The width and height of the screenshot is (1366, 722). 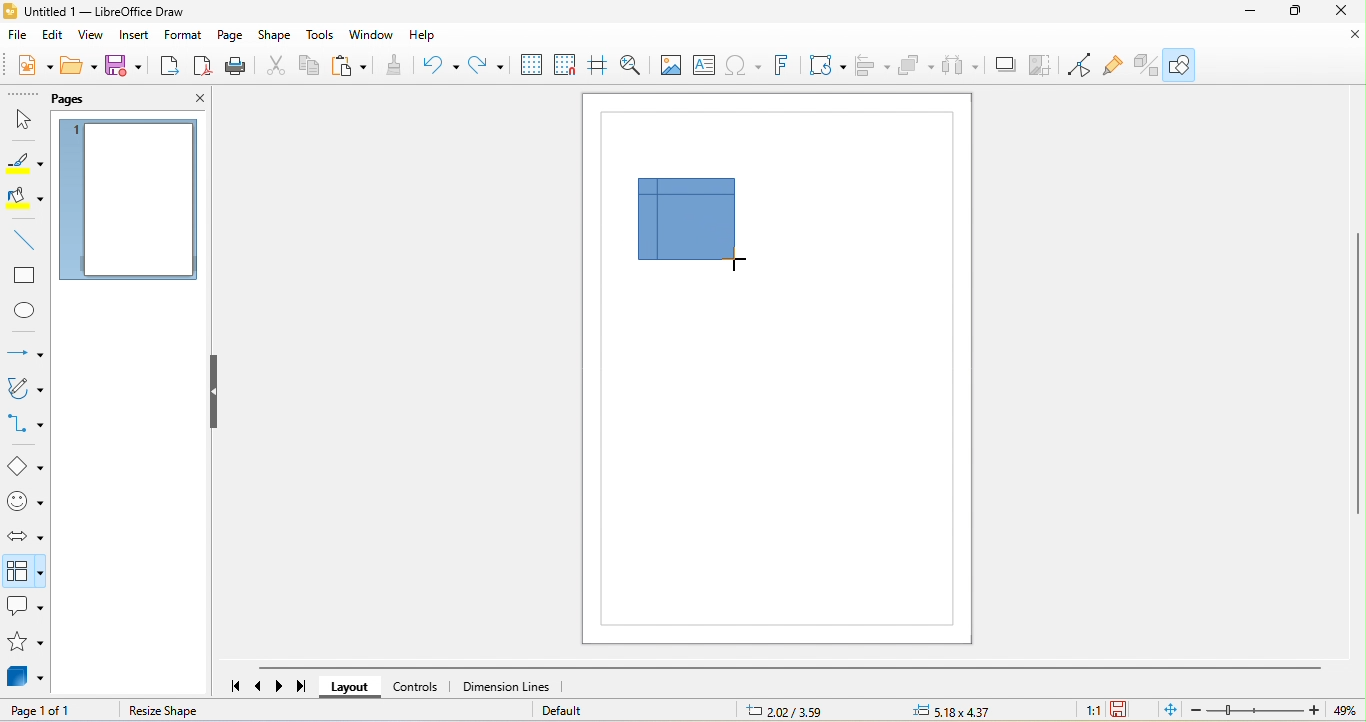 I want to click on line color, so click(x=24, y=160).